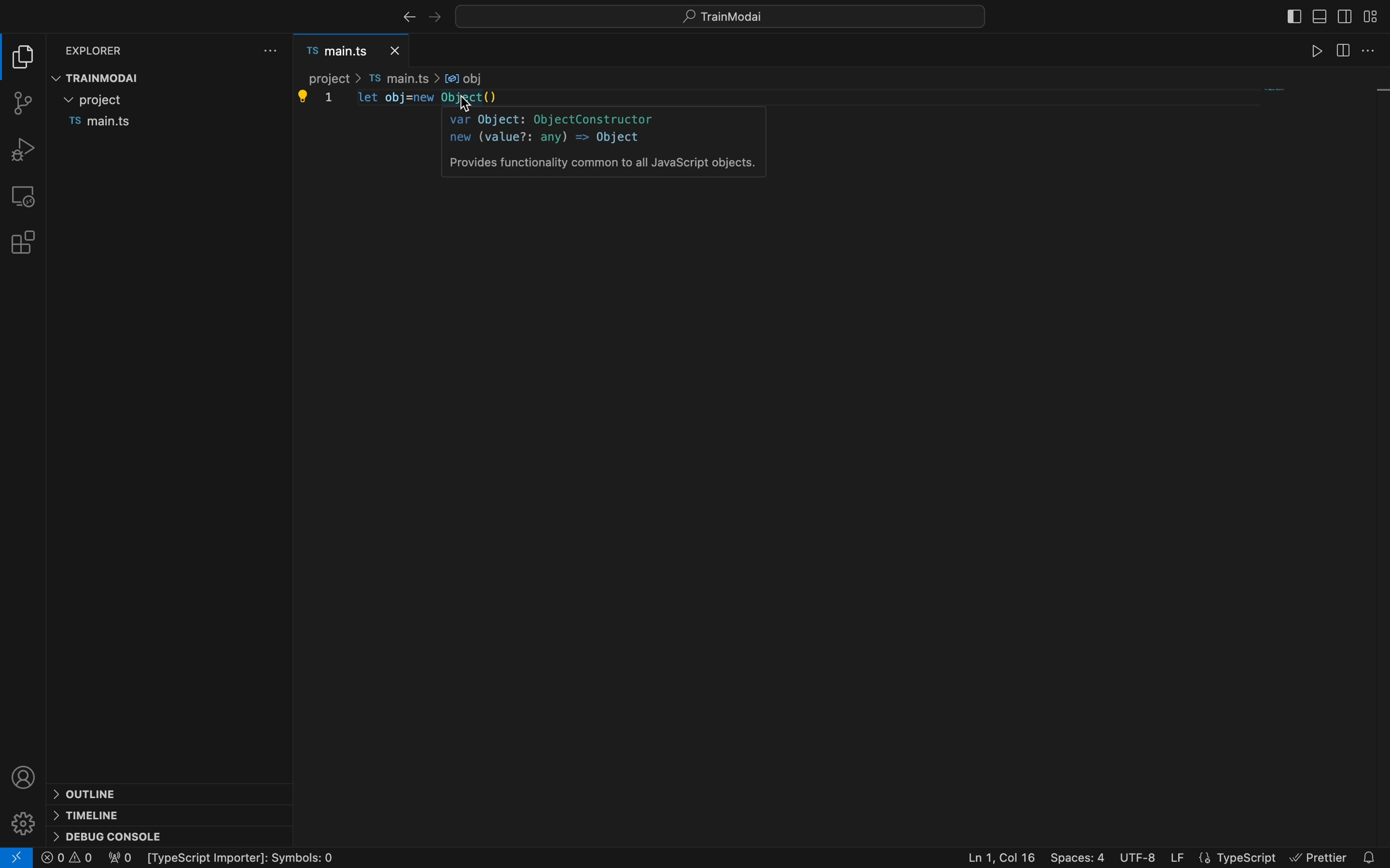 The width and height of the screenshot is (1390, 868). Describe the element at coordinates (23, 196) in the screenshot. I see `remote explore` at that location.